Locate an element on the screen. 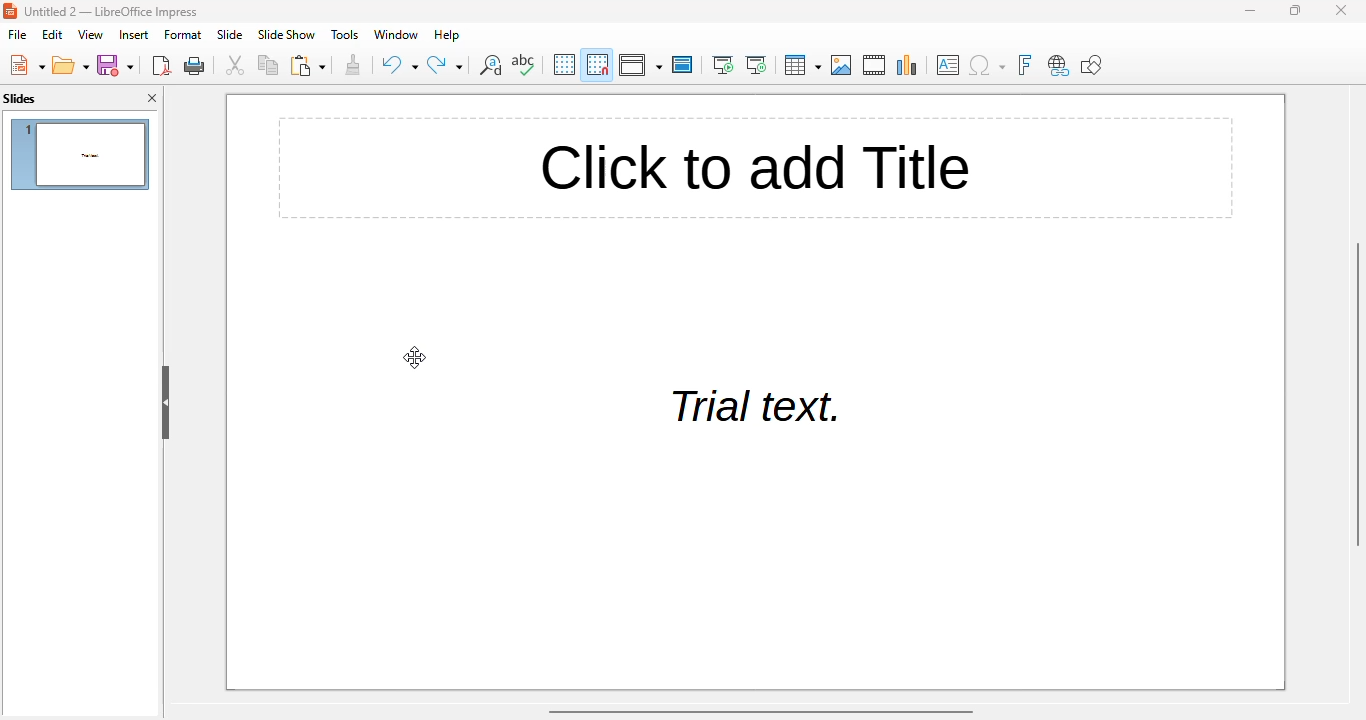 The width and height of the screenshot is (1366, 720). Trial text. is located at coordinates (749, 408).